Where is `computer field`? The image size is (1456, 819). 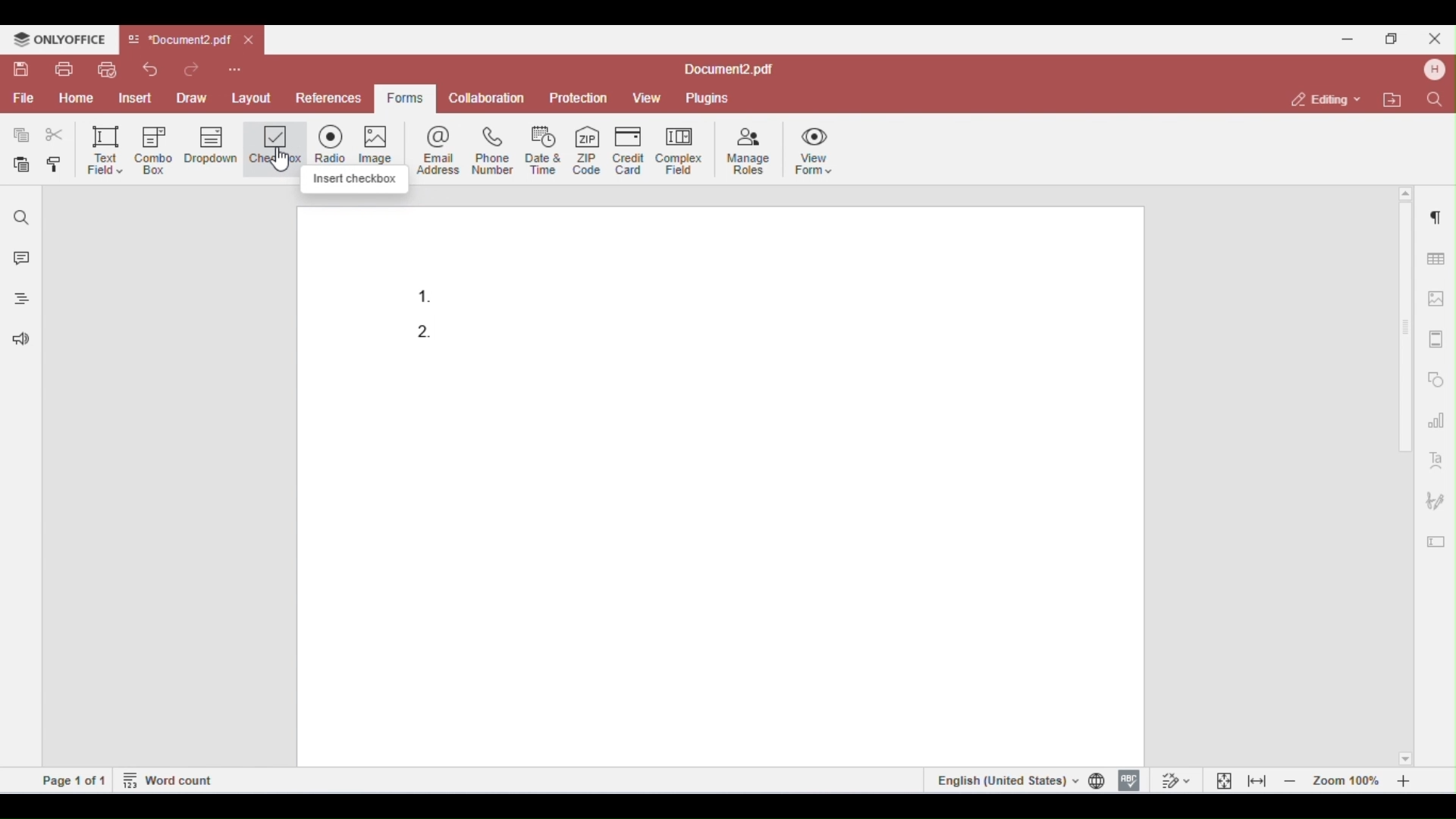
computer field is located at coordinates (679, 149).